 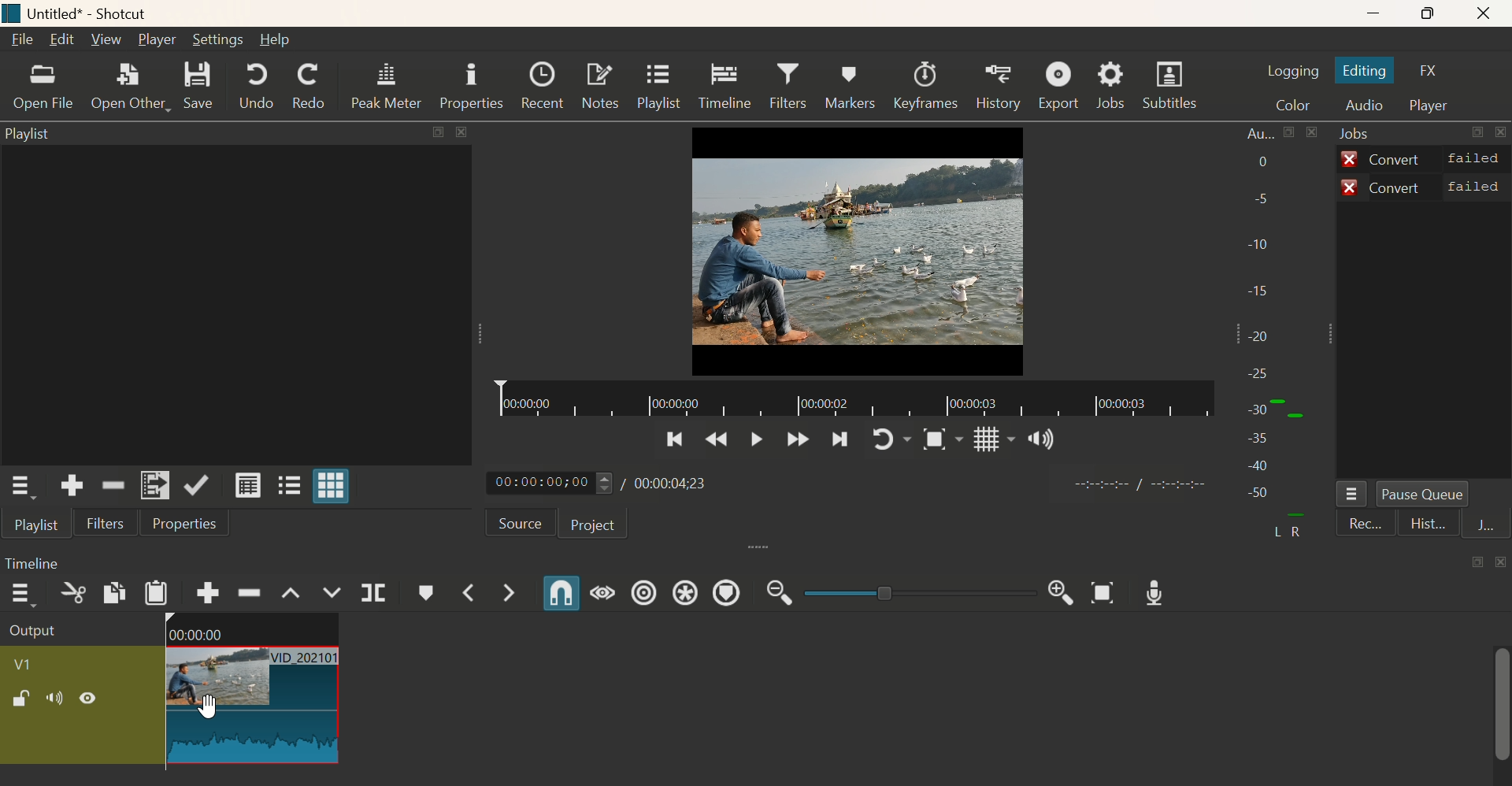 I want to click on Jobs, so click(x=1117, y=85).